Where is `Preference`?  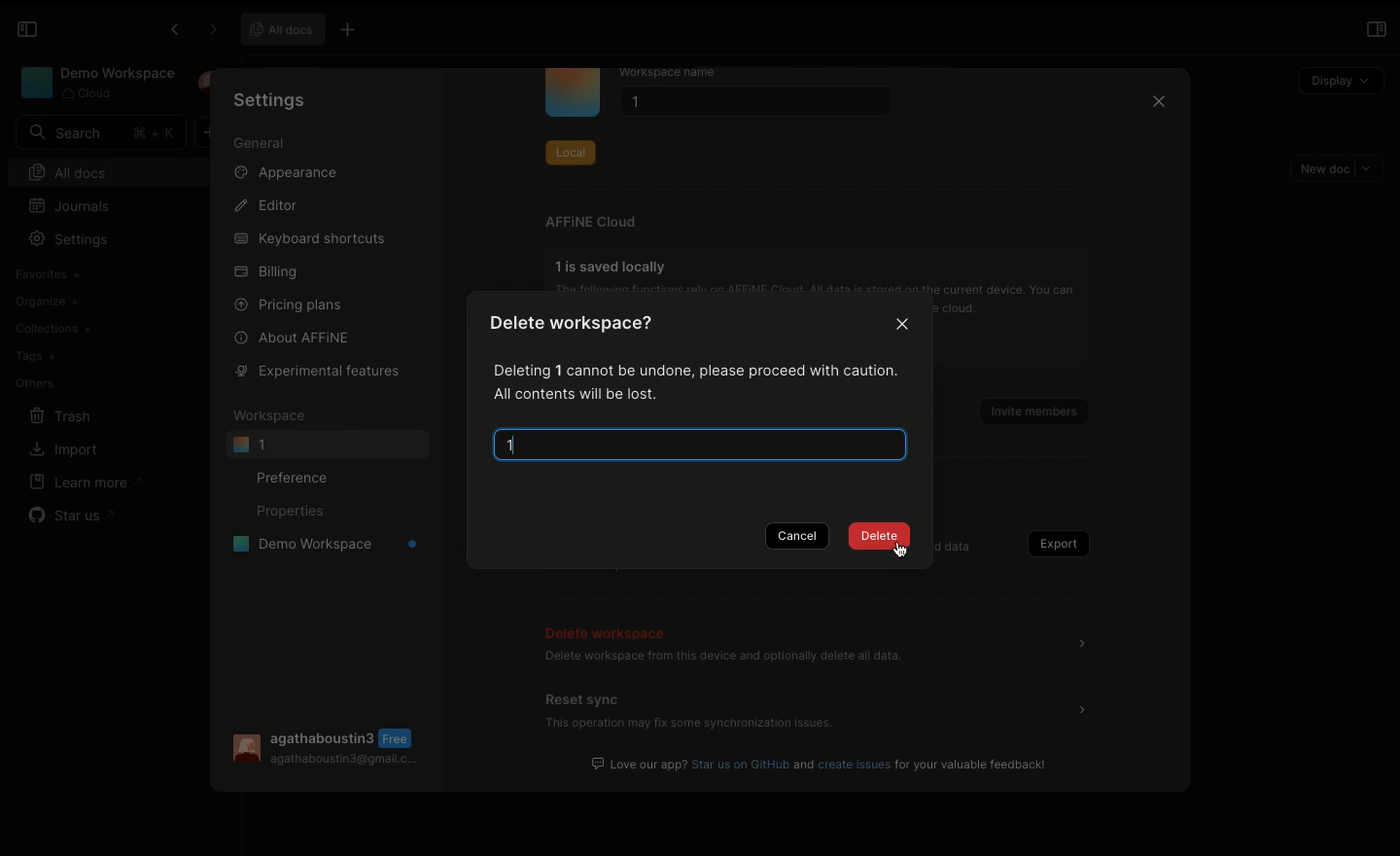
Preference is located at coordinates (297, 477).